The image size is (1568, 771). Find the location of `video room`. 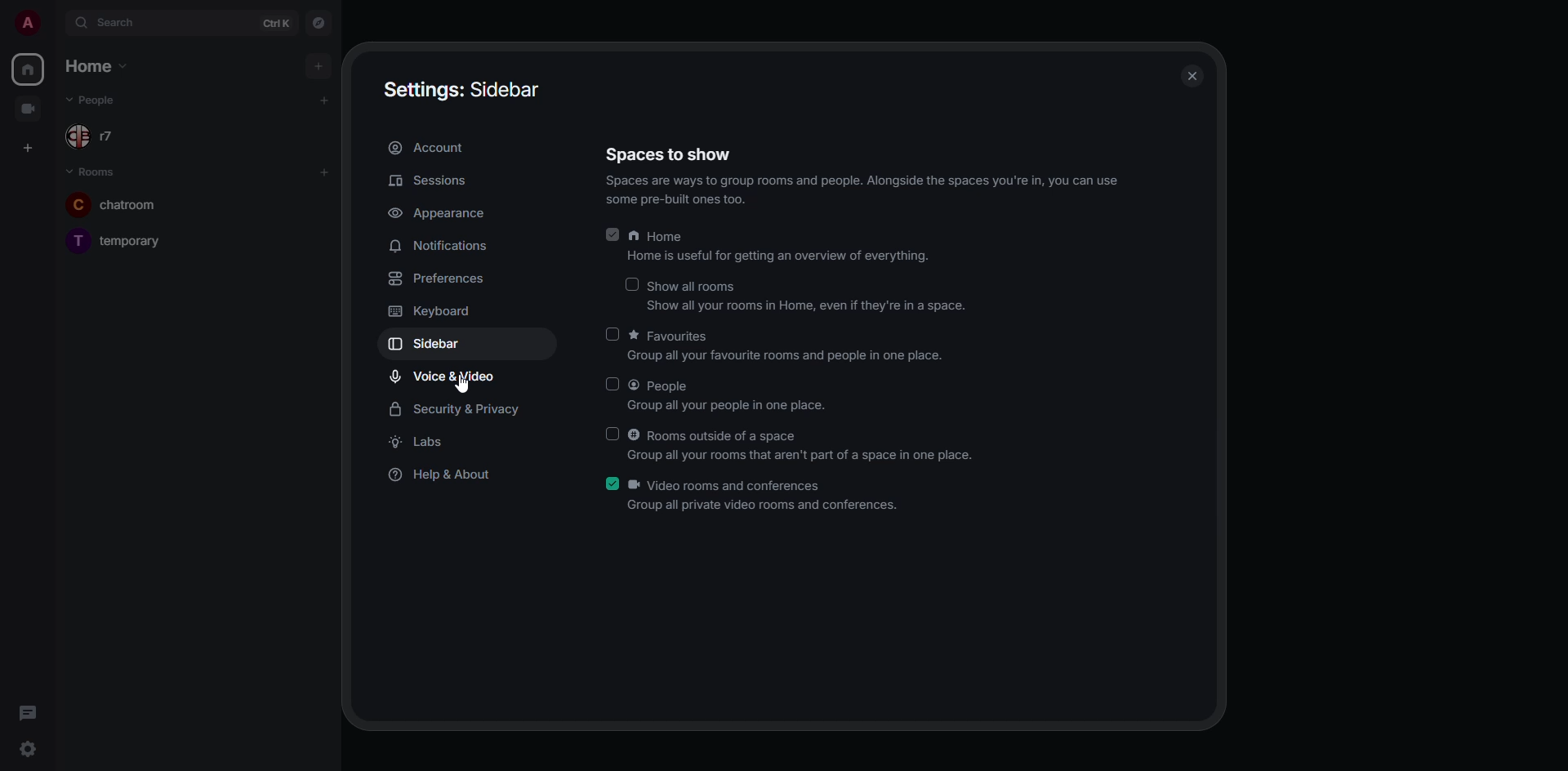

video room is located at coordinates (29, 109).